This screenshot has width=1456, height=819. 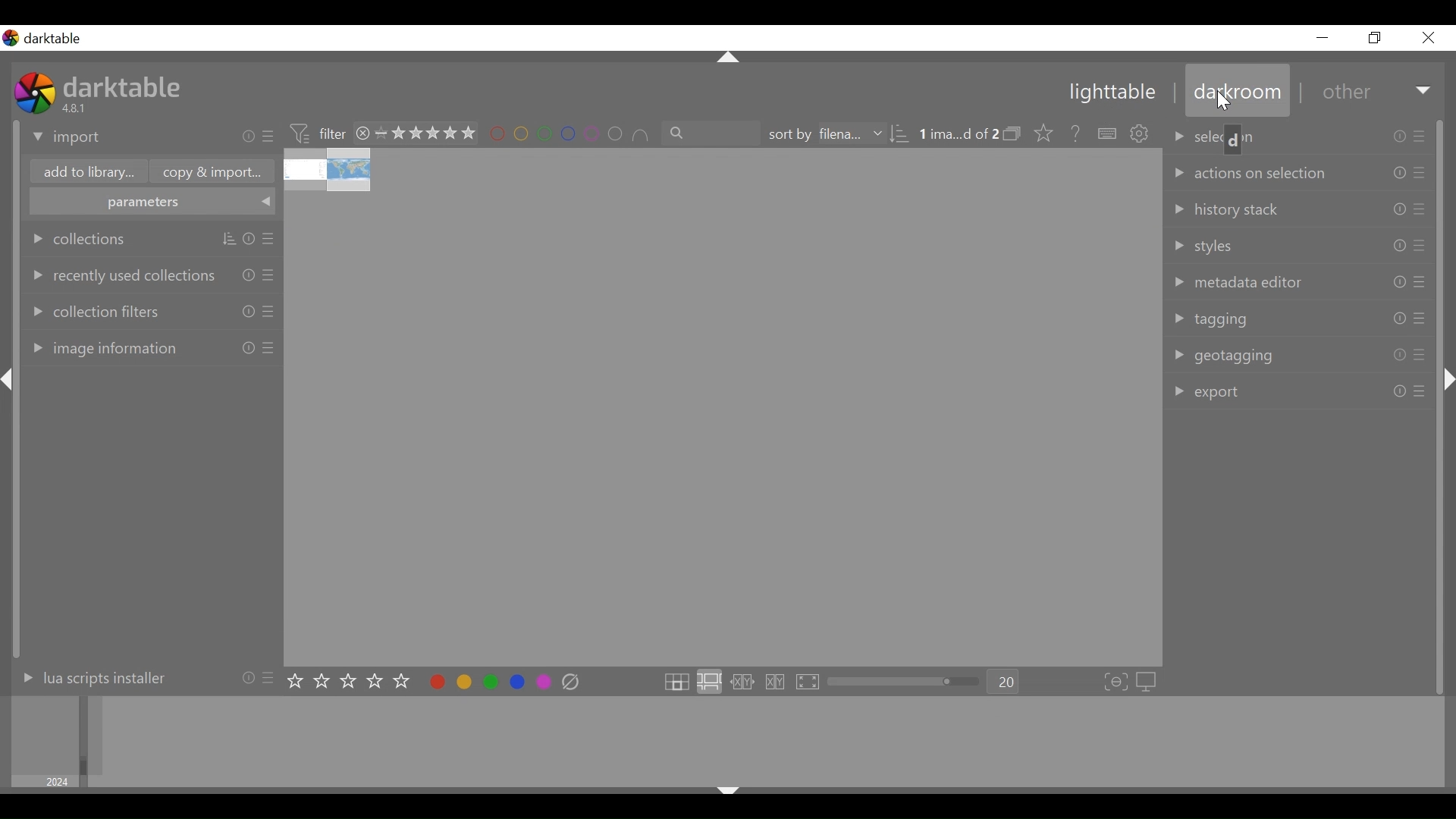 What do you see at coordinates (723, 407) in the screenshot?
I see `image thumbnail` at bounding box center [723, 407].